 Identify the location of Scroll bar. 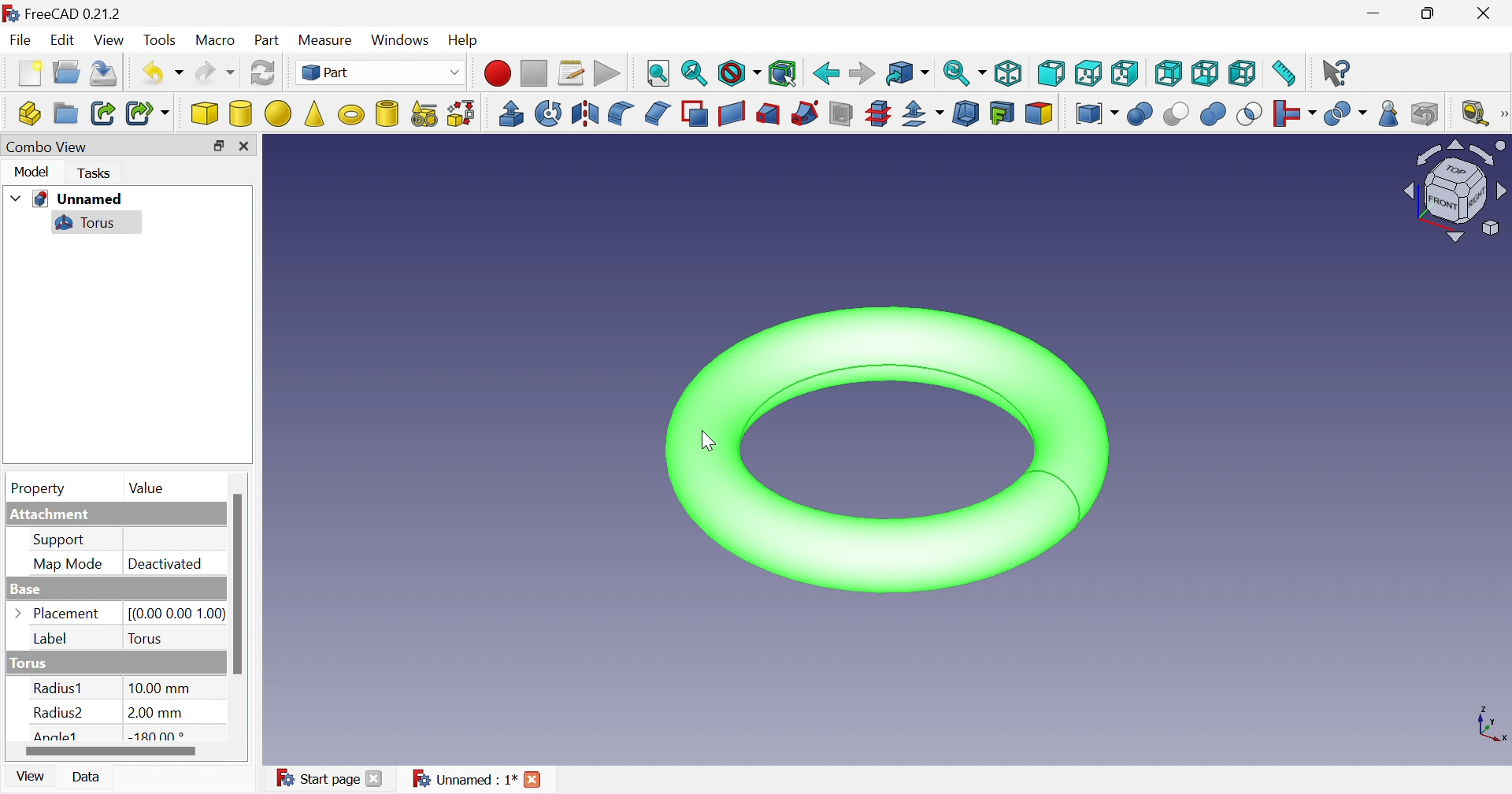
(237, 583).